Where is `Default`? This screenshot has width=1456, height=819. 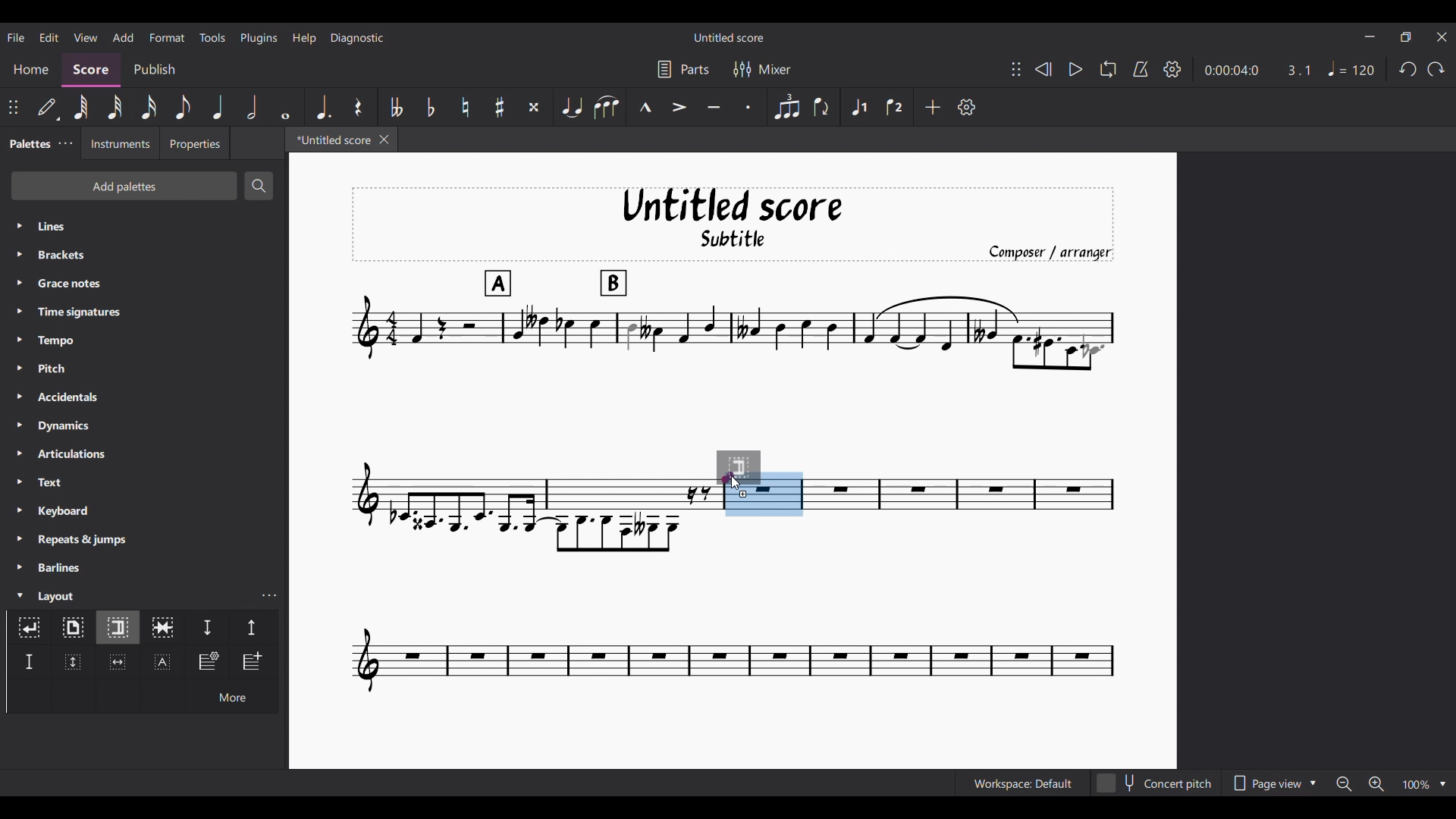 Default is located at coordinates (48, 107).